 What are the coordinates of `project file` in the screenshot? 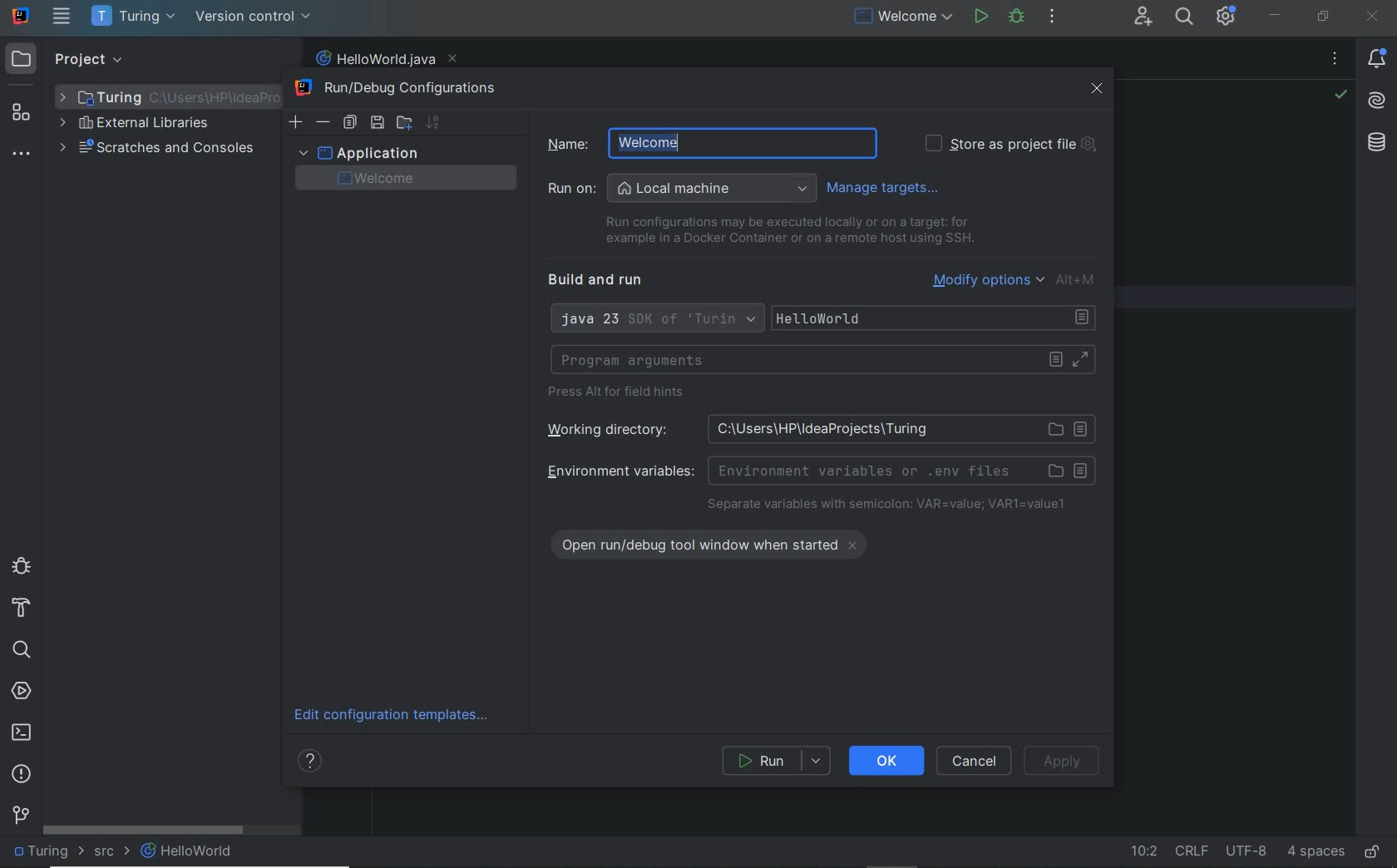 It's located at (46, 851).